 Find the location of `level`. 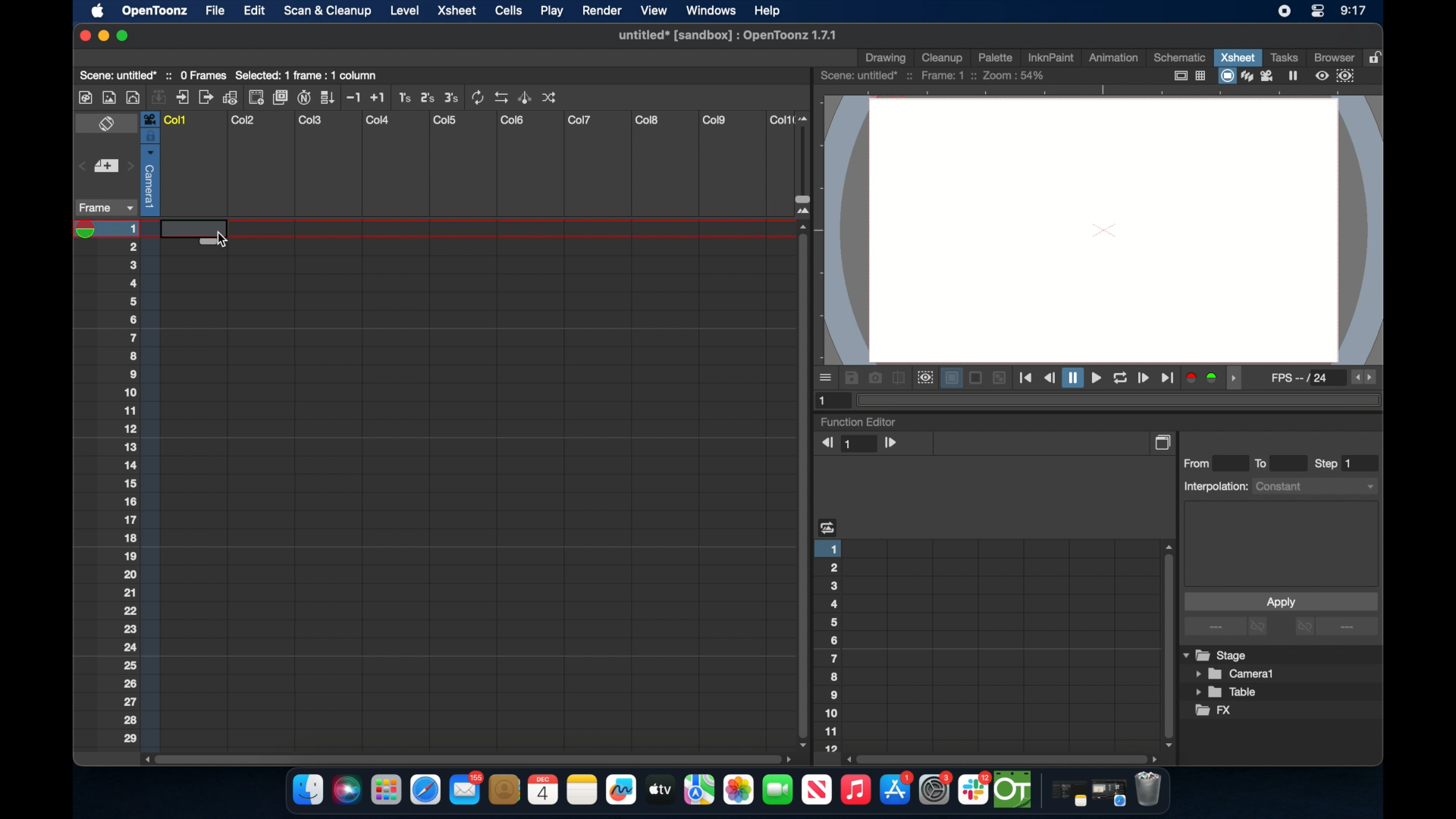

level is located at coordinates (406, 10).